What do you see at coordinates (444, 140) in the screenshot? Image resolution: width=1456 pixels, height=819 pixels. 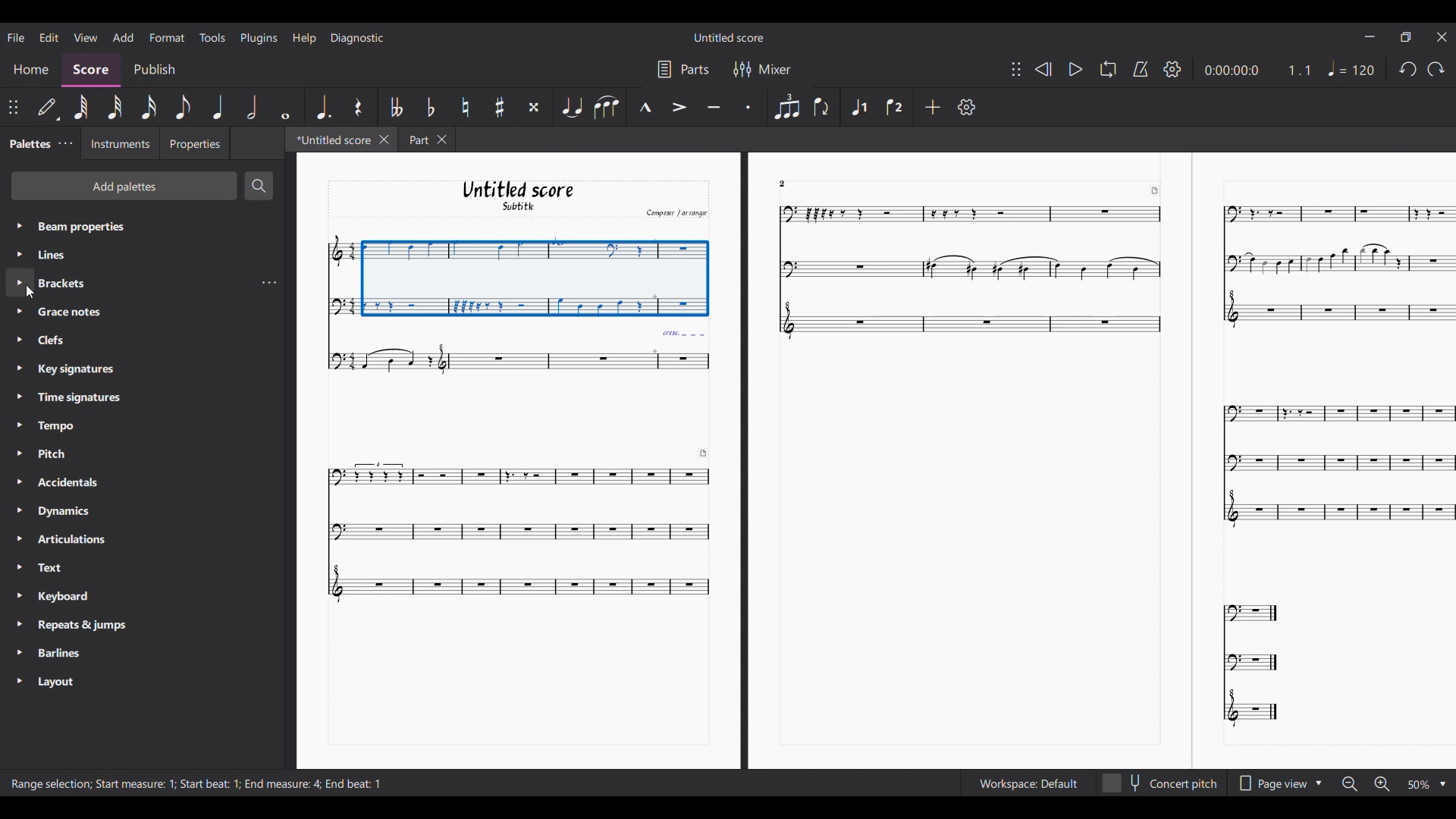 I see `Close` at bounding box center [444, 140].